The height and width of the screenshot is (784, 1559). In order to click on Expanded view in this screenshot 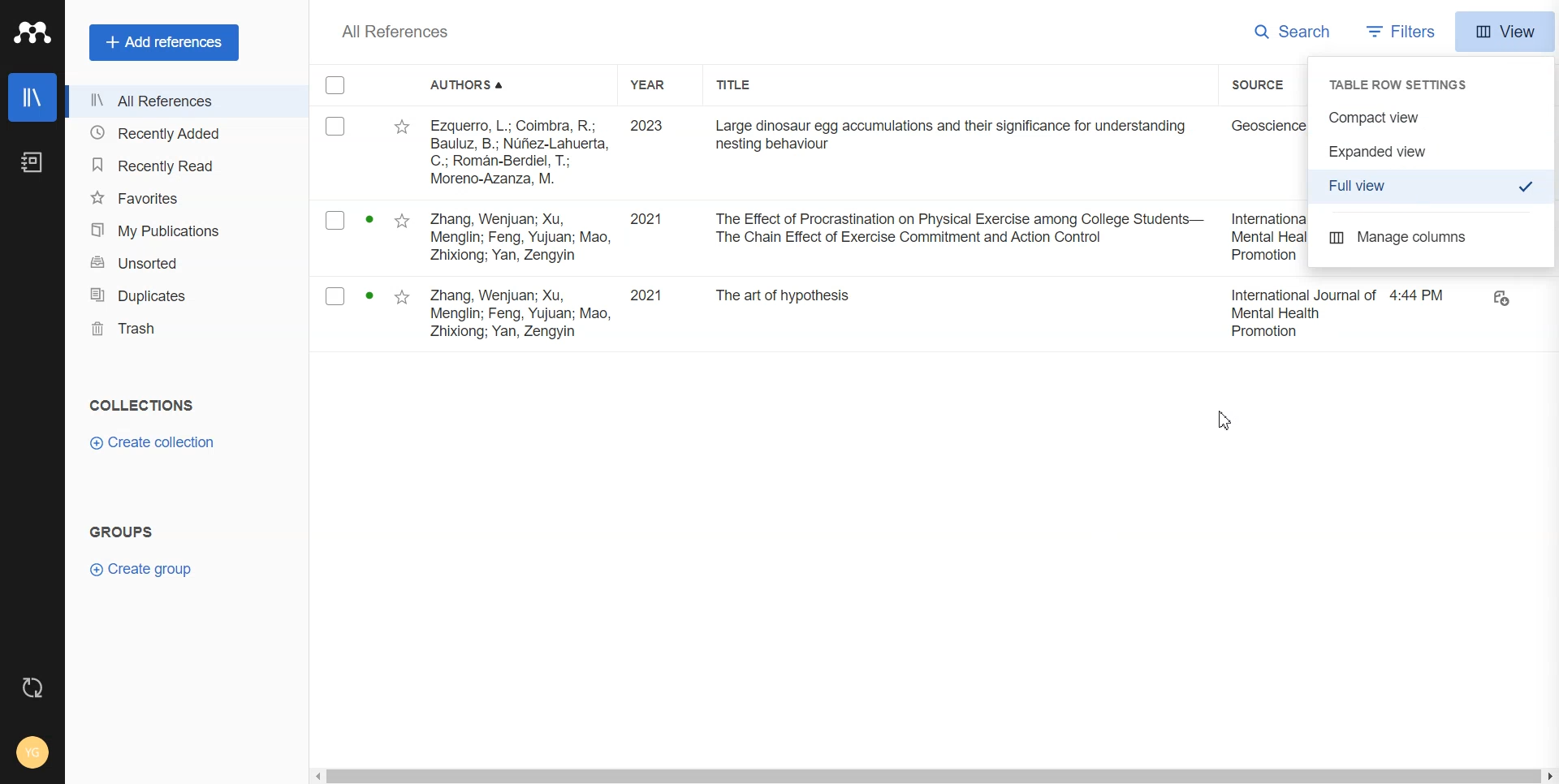, I will do `click(1433, 150)`.